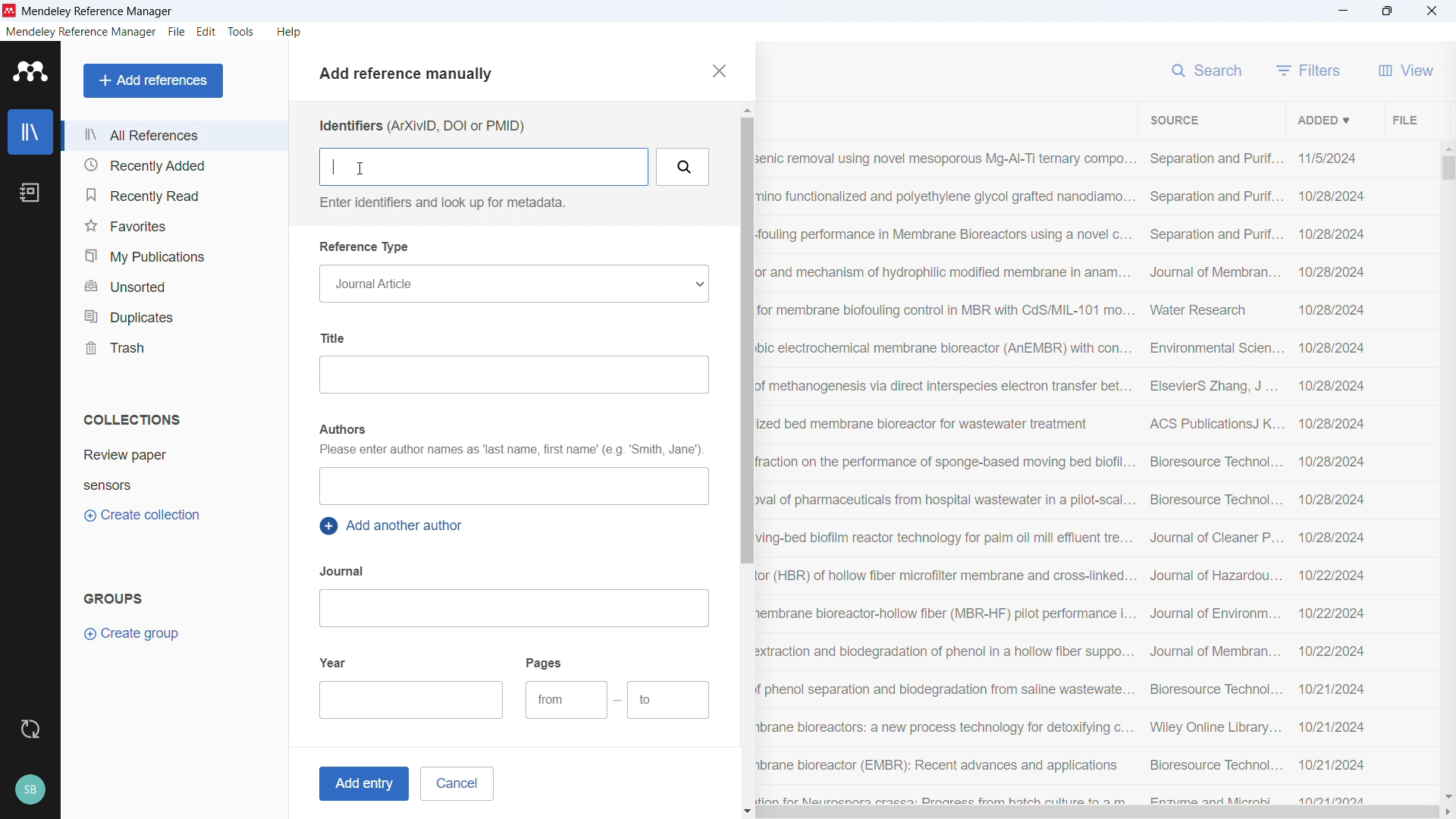 The width and height of the screenshot is (1456, 819). Describe the element at coordinates (1403, 119) in the screenshot. I see `File ` at that location.